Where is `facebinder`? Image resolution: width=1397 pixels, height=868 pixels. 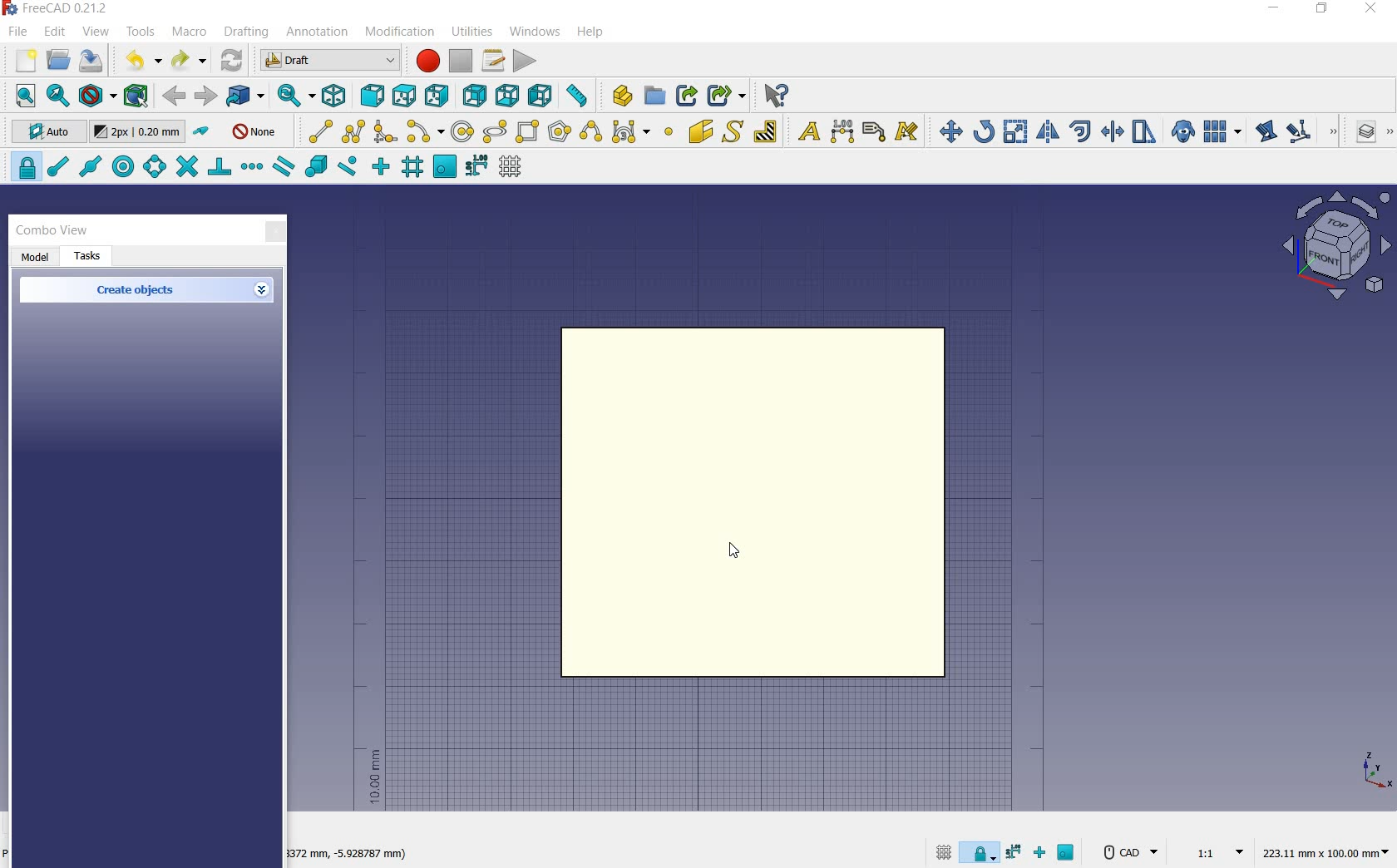
facebinder is located at coordinates (700, 135).